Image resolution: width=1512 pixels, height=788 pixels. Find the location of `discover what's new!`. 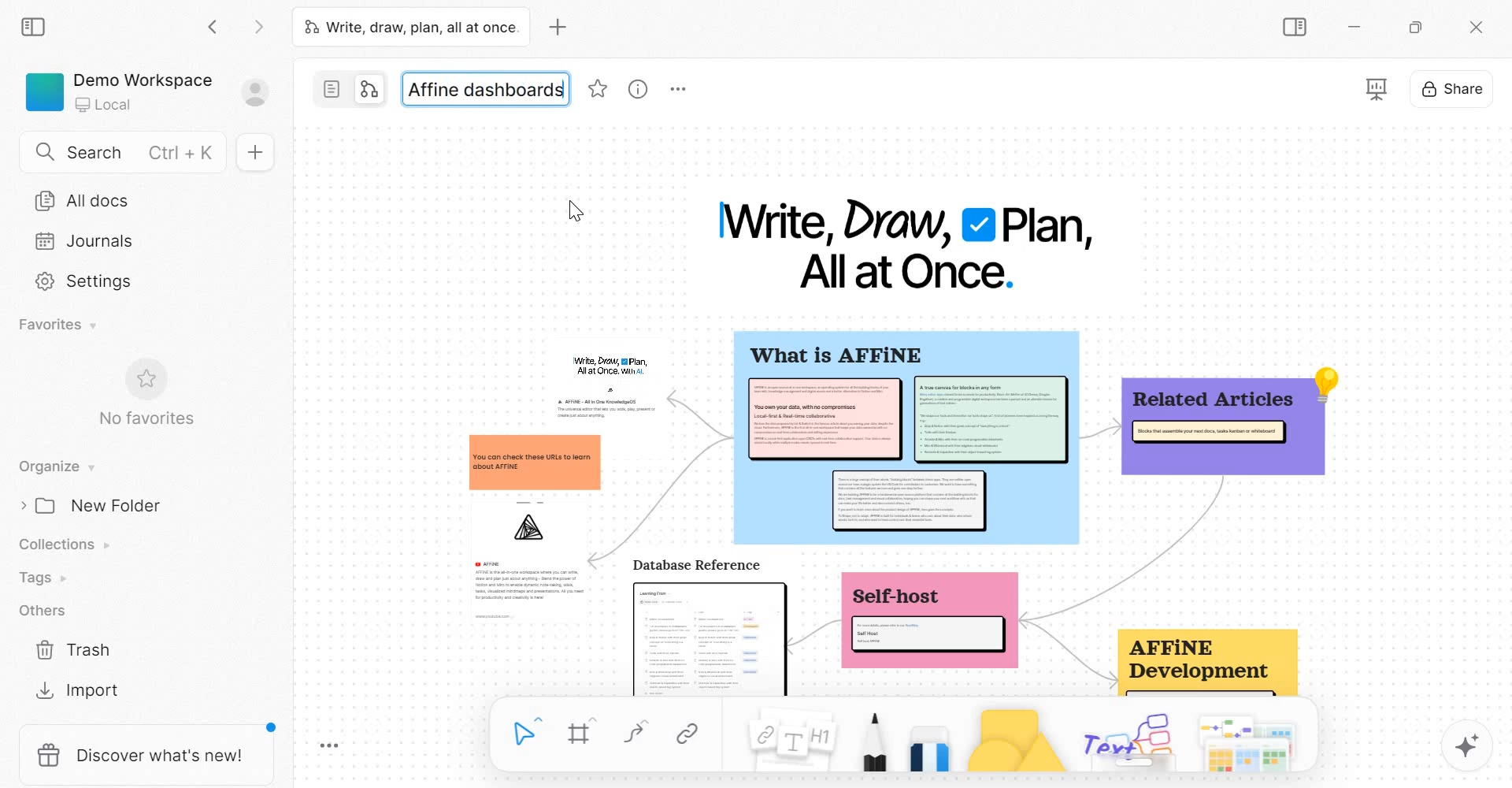

discover what's new! is located at coordinates (145, 755).